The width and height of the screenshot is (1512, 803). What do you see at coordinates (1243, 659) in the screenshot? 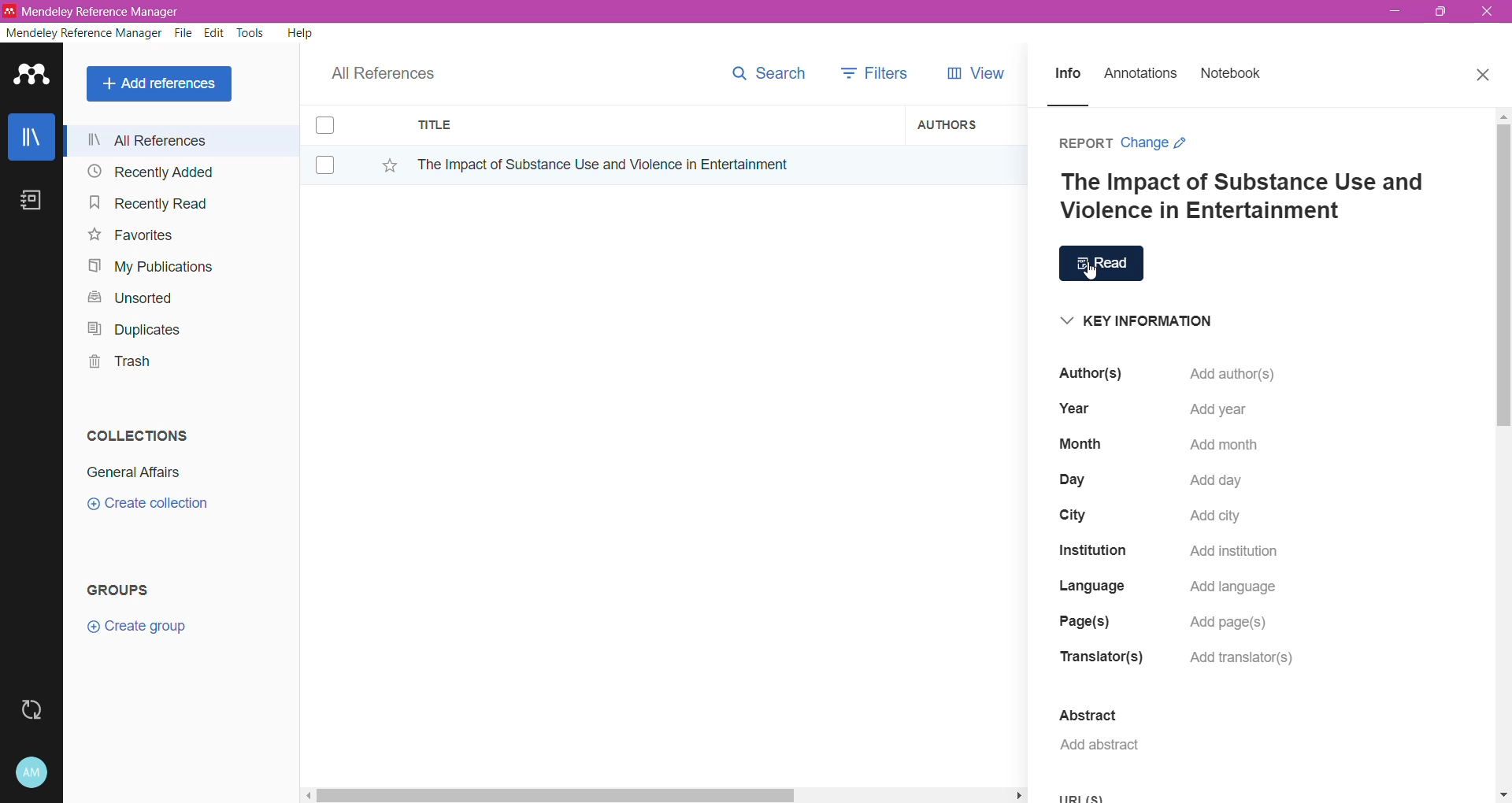
I see `Click to Add translator(s)` at bounding box center [1243, 659].